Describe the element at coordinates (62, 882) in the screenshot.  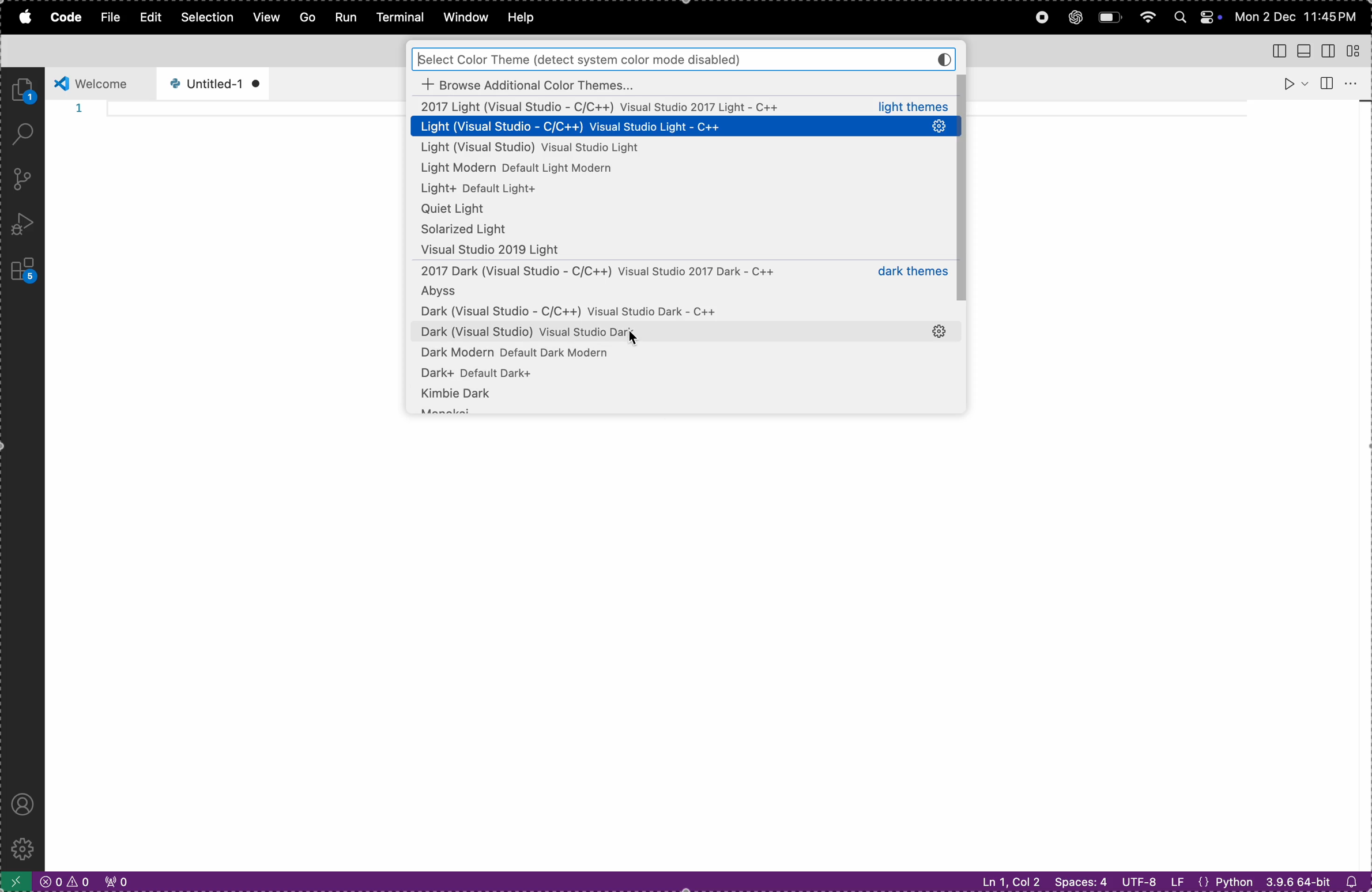
I see `no errors` at that location.